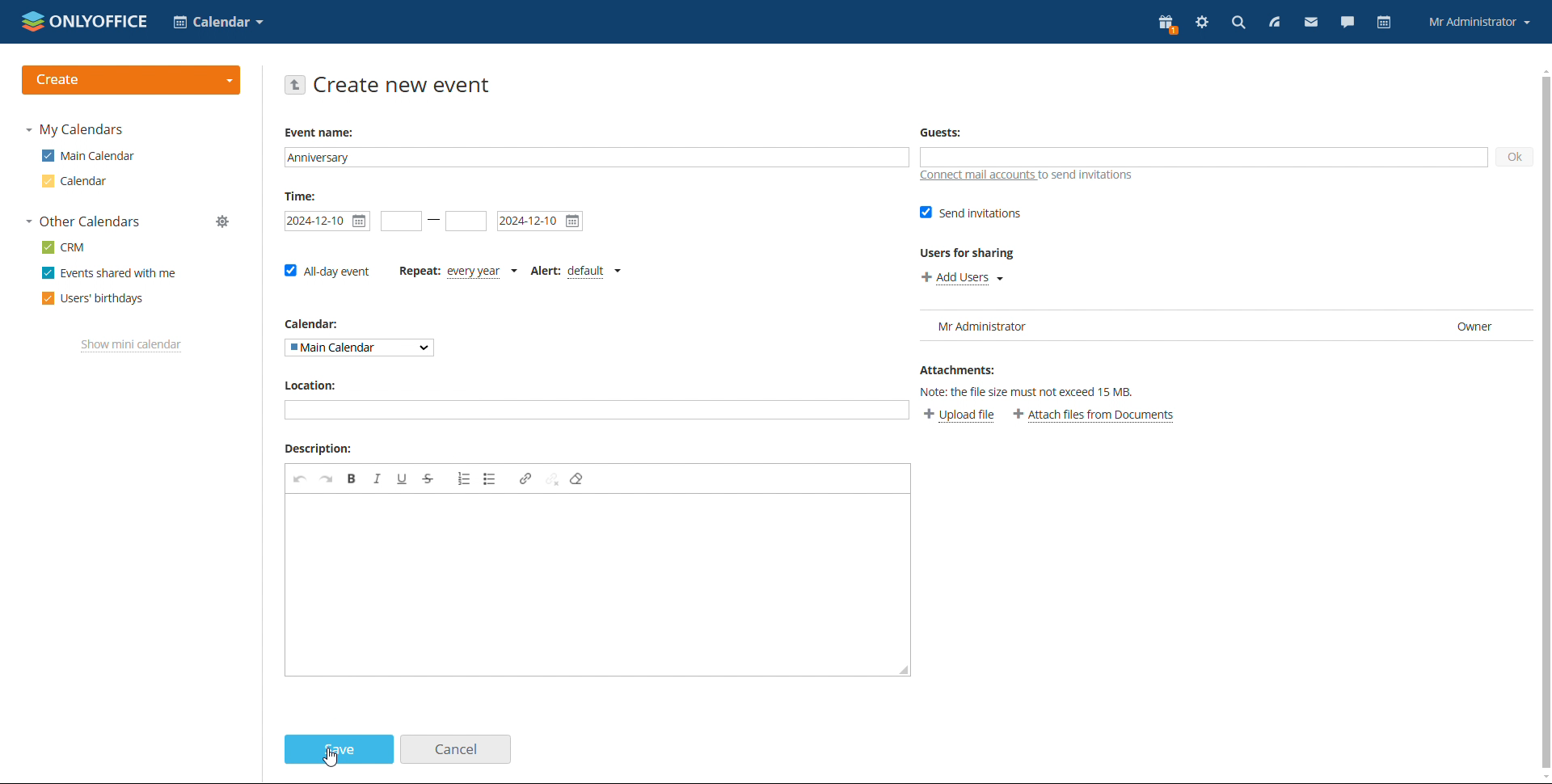 The height and width of the screenshot is (784, 1552). Describe the element at coordinates (936, 129) in the screenshot. I see `Guests:` at that location.